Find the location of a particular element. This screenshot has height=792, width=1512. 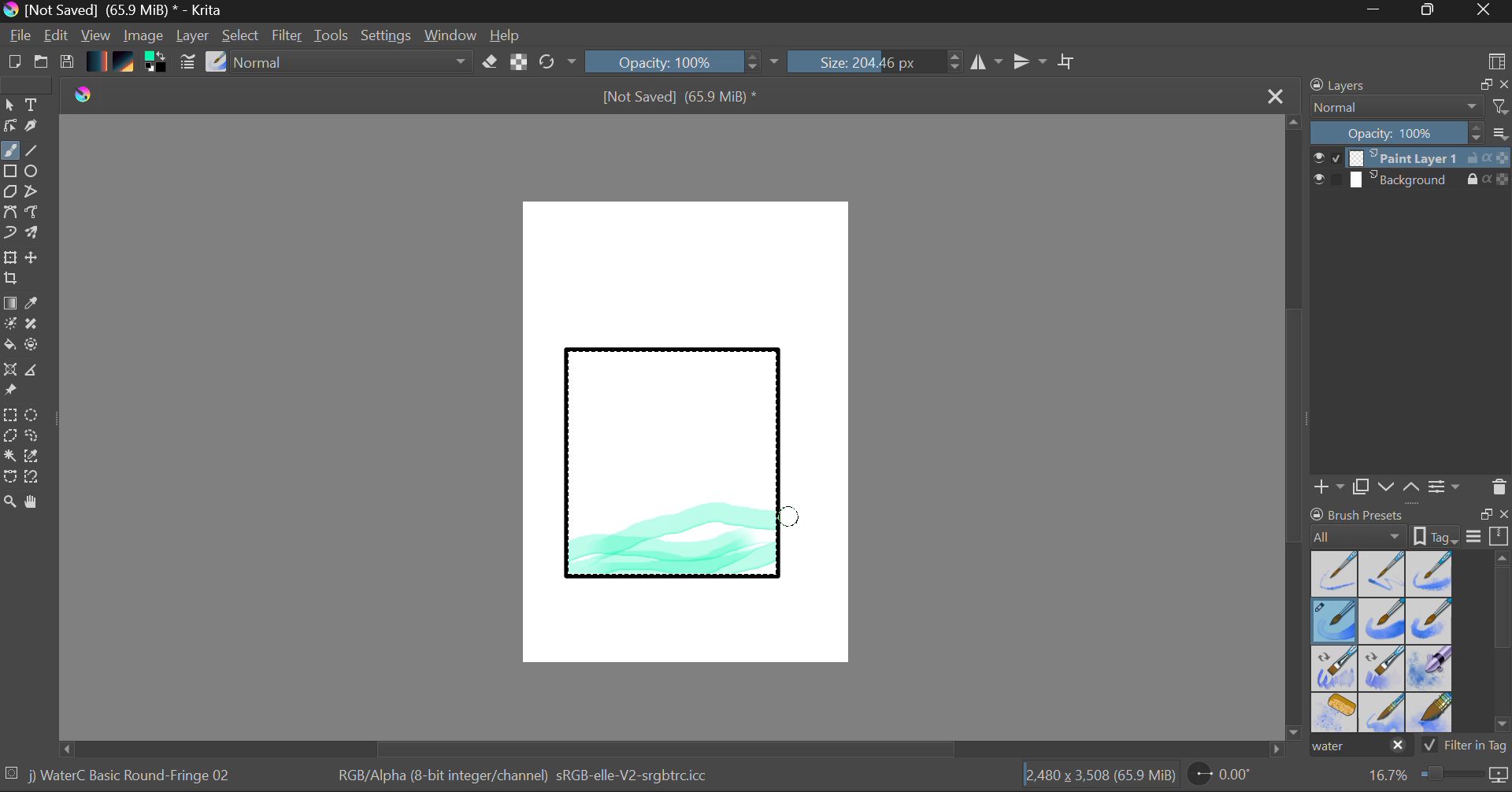

Similar Color Selector is located at coordinates (36, 457).